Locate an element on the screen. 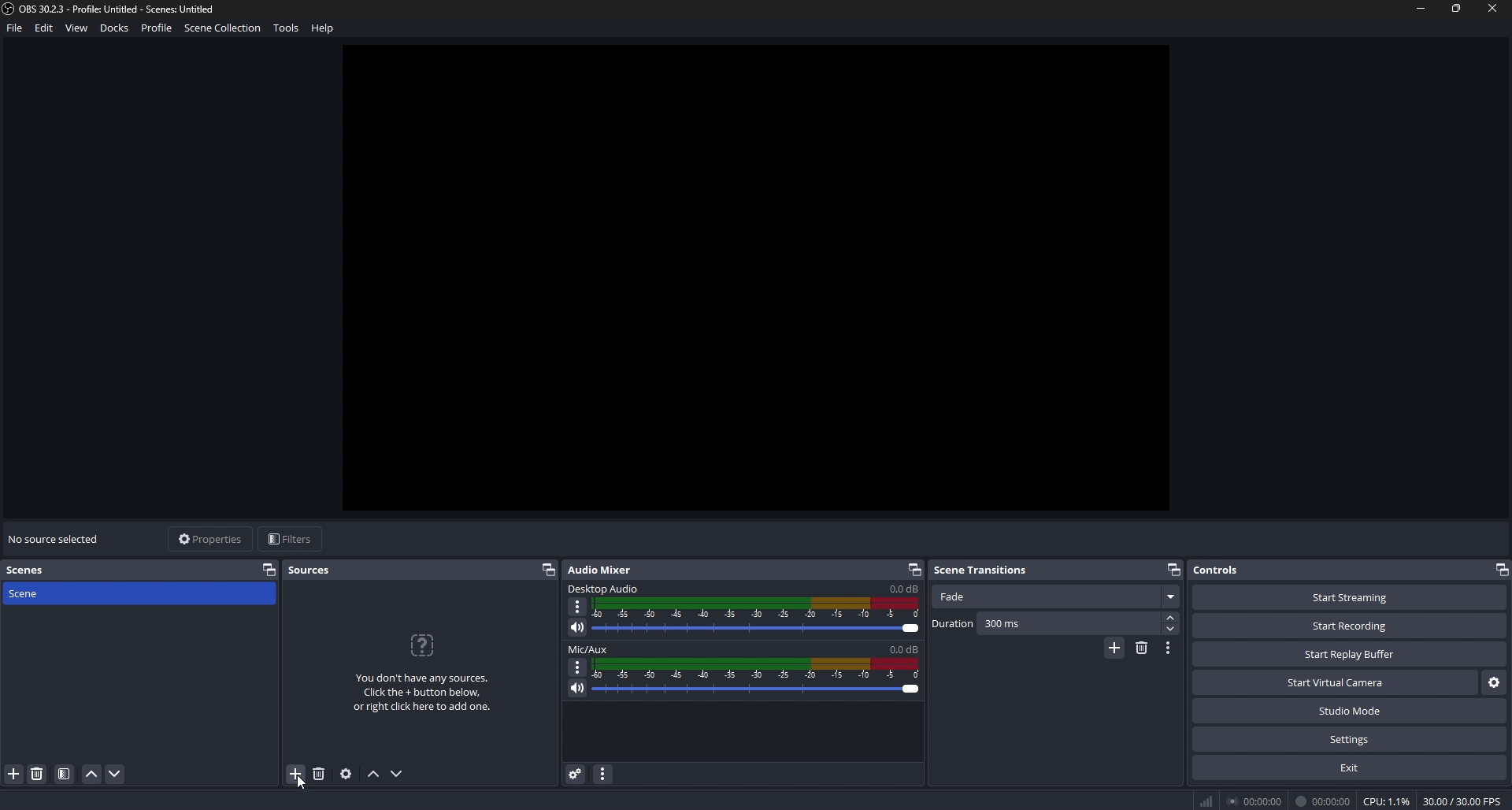  scene is located at coordinates (41, 593).